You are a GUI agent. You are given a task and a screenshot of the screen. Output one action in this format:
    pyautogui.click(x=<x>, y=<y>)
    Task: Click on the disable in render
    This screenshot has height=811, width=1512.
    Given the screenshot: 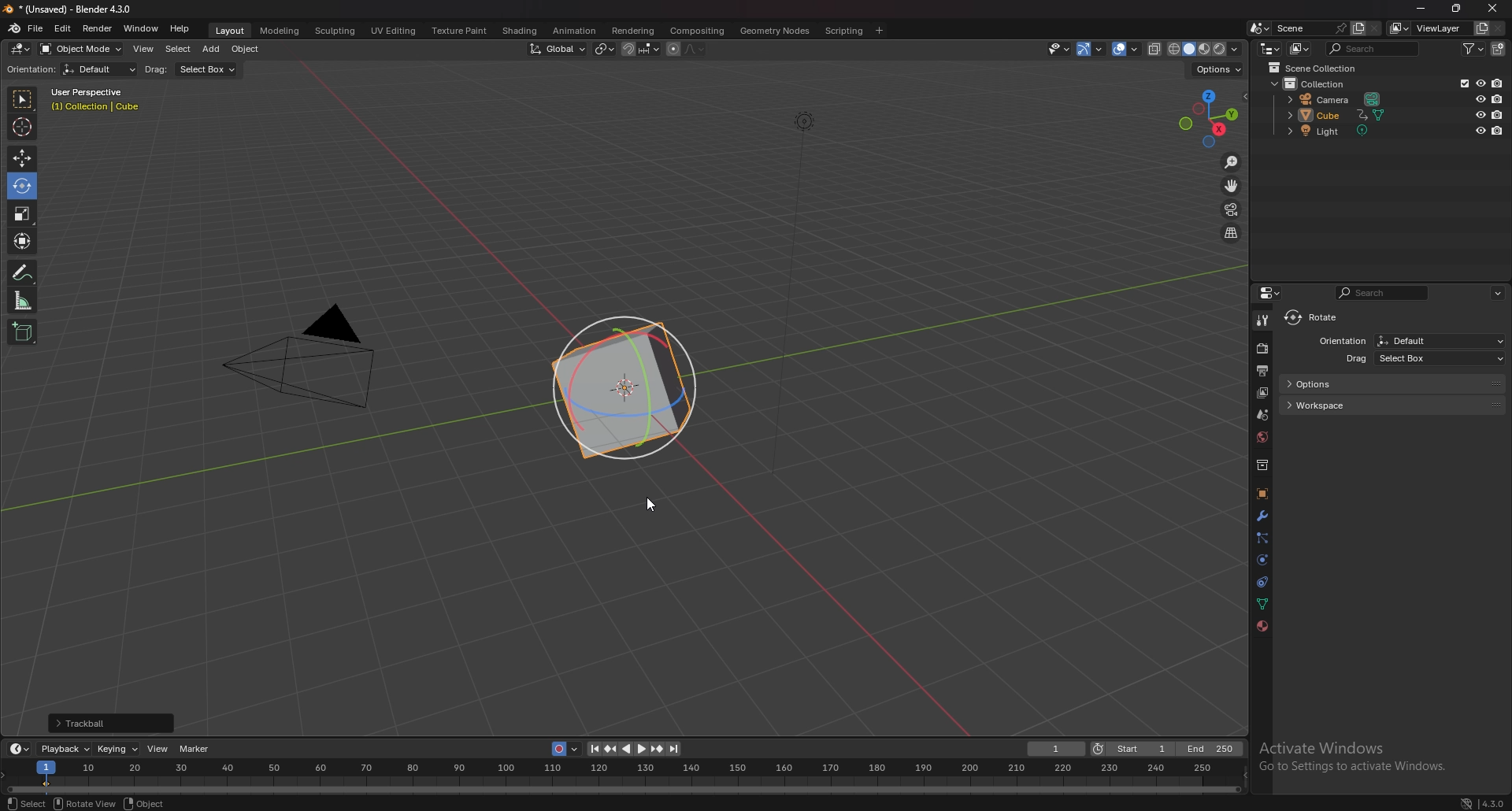 What is the action you would take?
    pyautogui.click(x=1497, y=115)
    